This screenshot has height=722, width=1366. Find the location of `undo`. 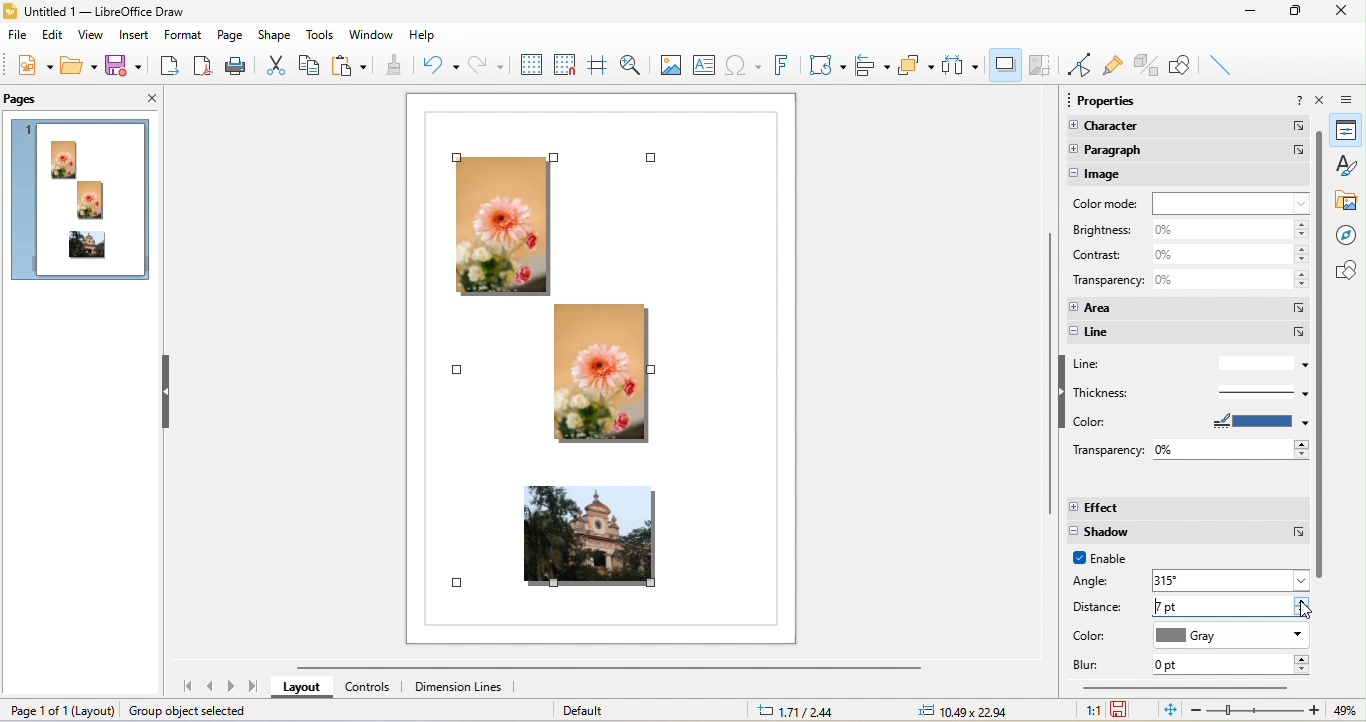

undo is located at coordinates (438, 64).